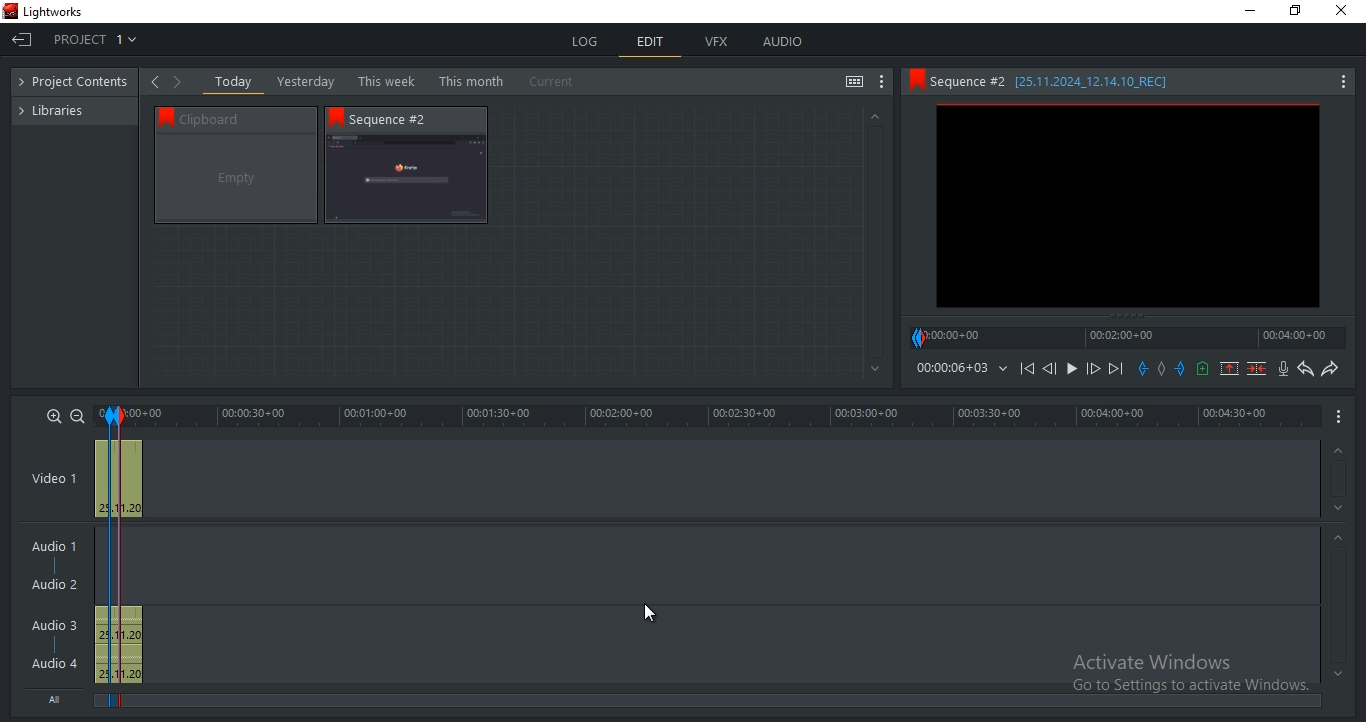  What do you see at coordinates (61, 625) in the screenshot?
I see `Audio 3` at bounding box center [61, 625].